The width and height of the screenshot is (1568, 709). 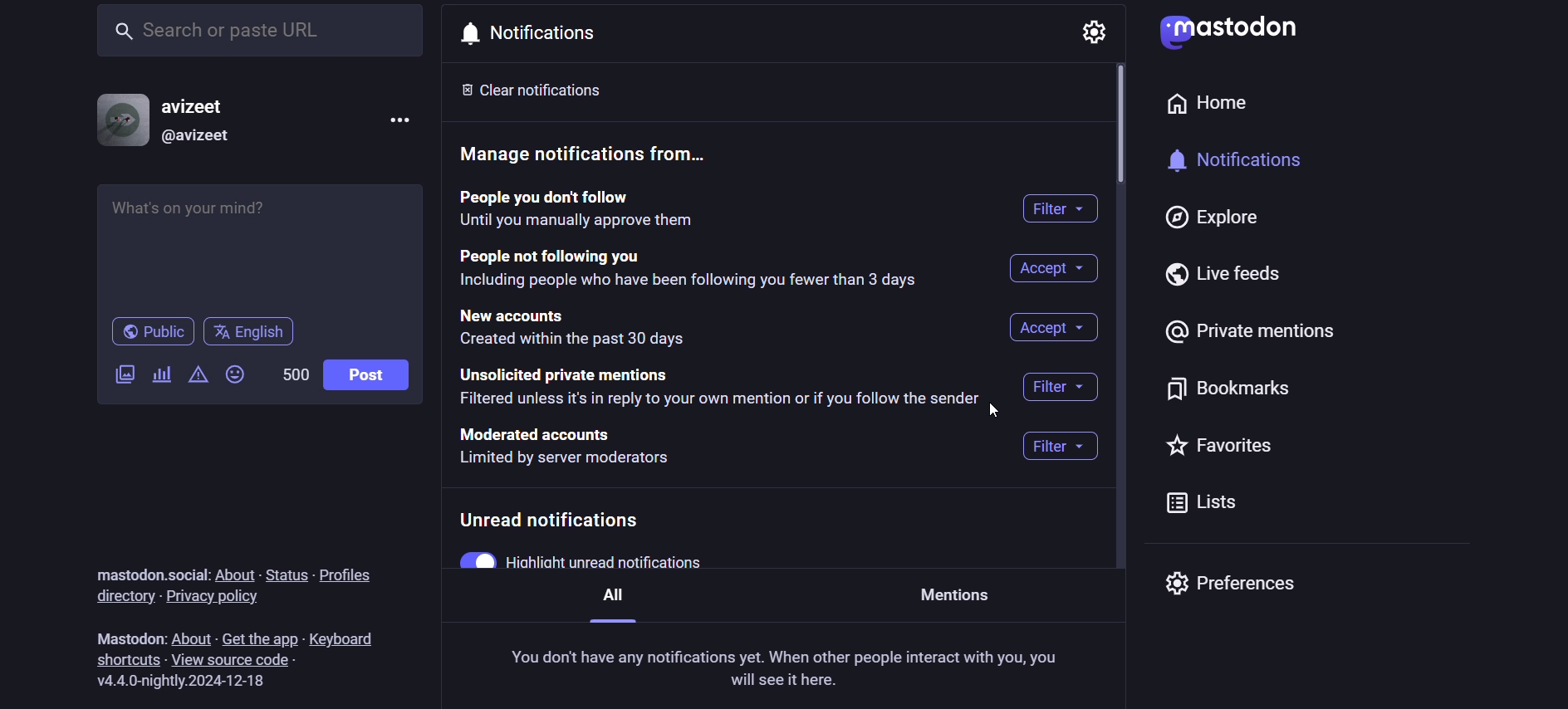 What do you see at coordinates (394, 119) in the screenshot?
I see `more options` at bounding box center [394, 119].